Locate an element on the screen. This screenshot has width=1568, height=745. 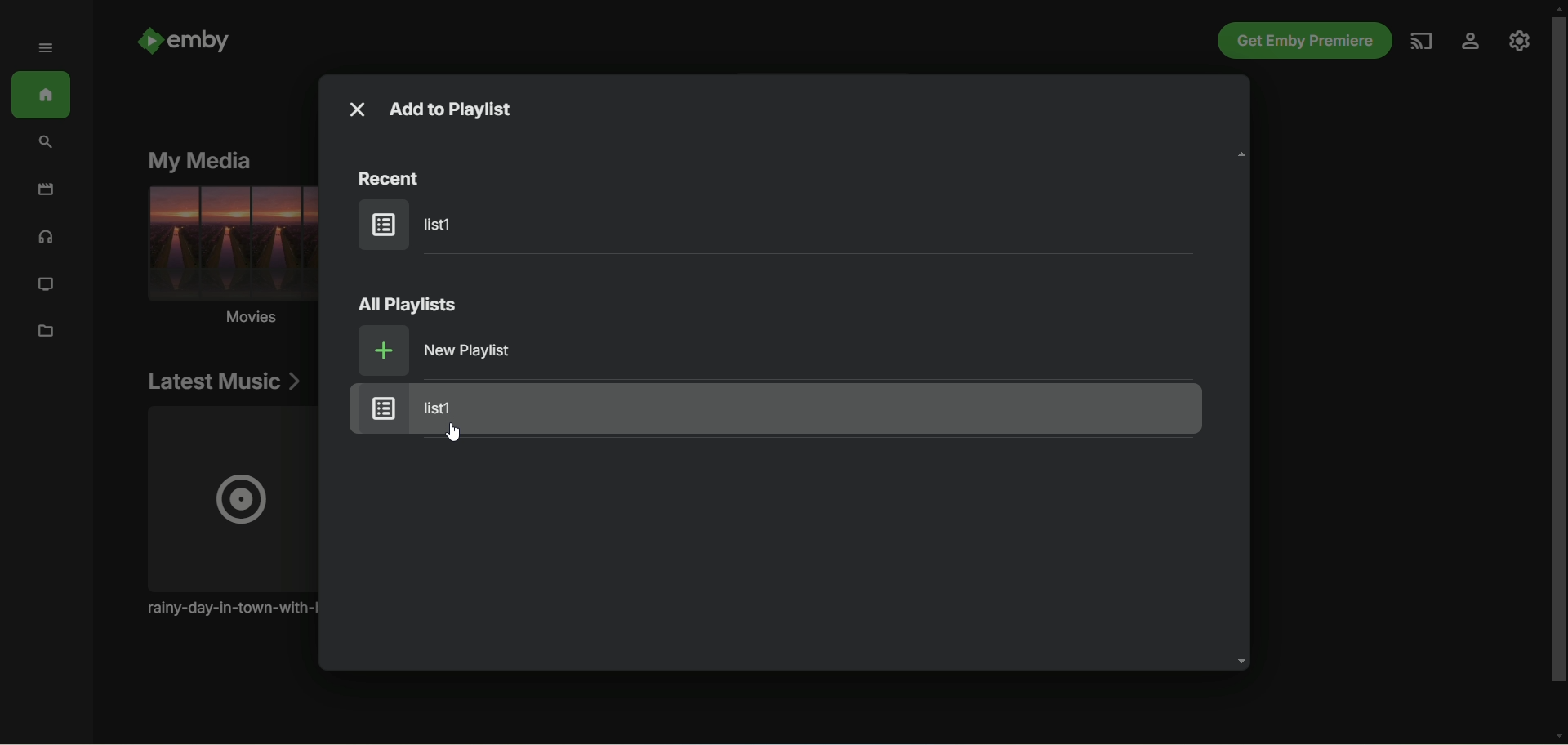
play on another device is located at coordinates (1422, 42).